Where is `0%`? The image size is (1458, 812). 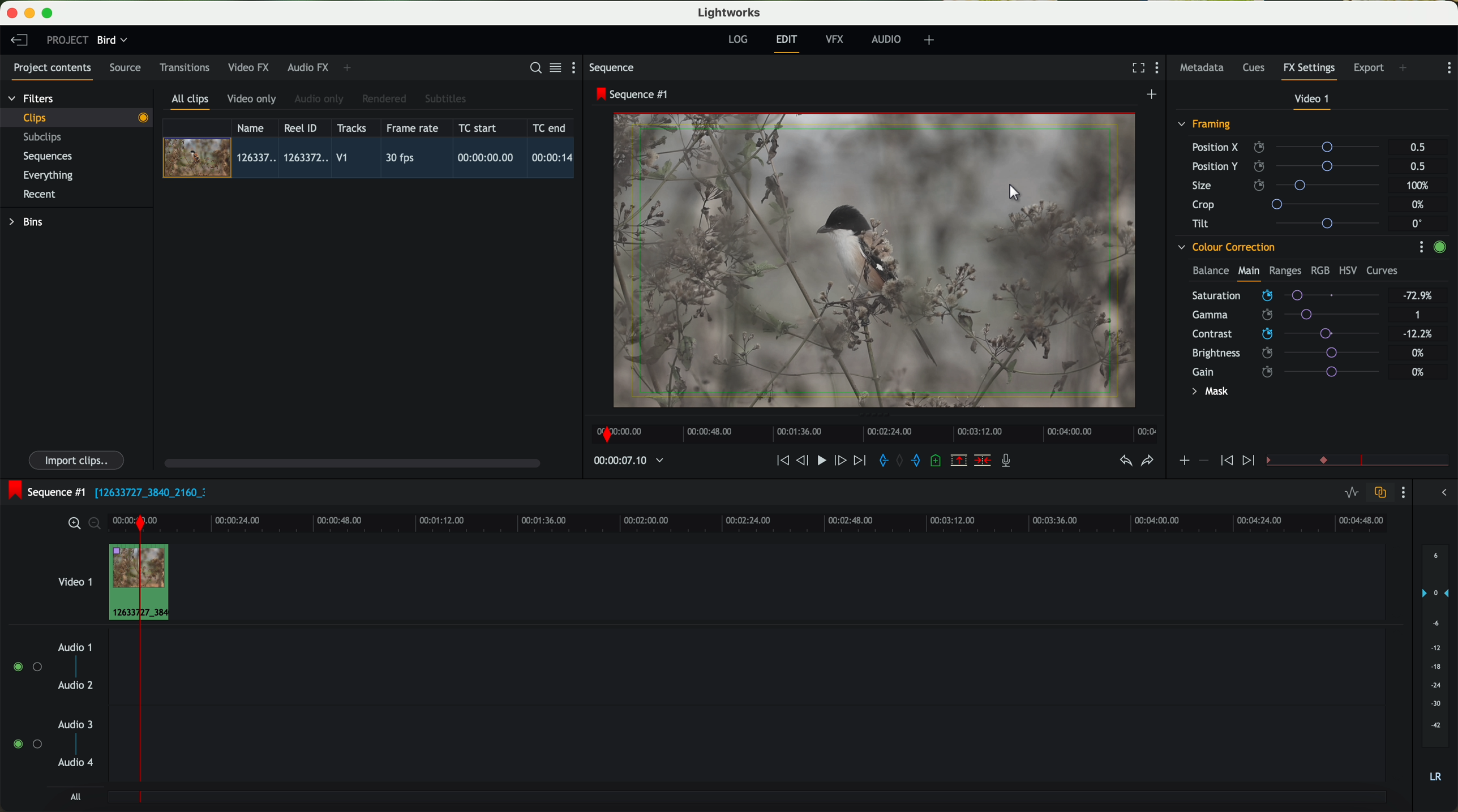
0% is located at coordinates (1418, 372).